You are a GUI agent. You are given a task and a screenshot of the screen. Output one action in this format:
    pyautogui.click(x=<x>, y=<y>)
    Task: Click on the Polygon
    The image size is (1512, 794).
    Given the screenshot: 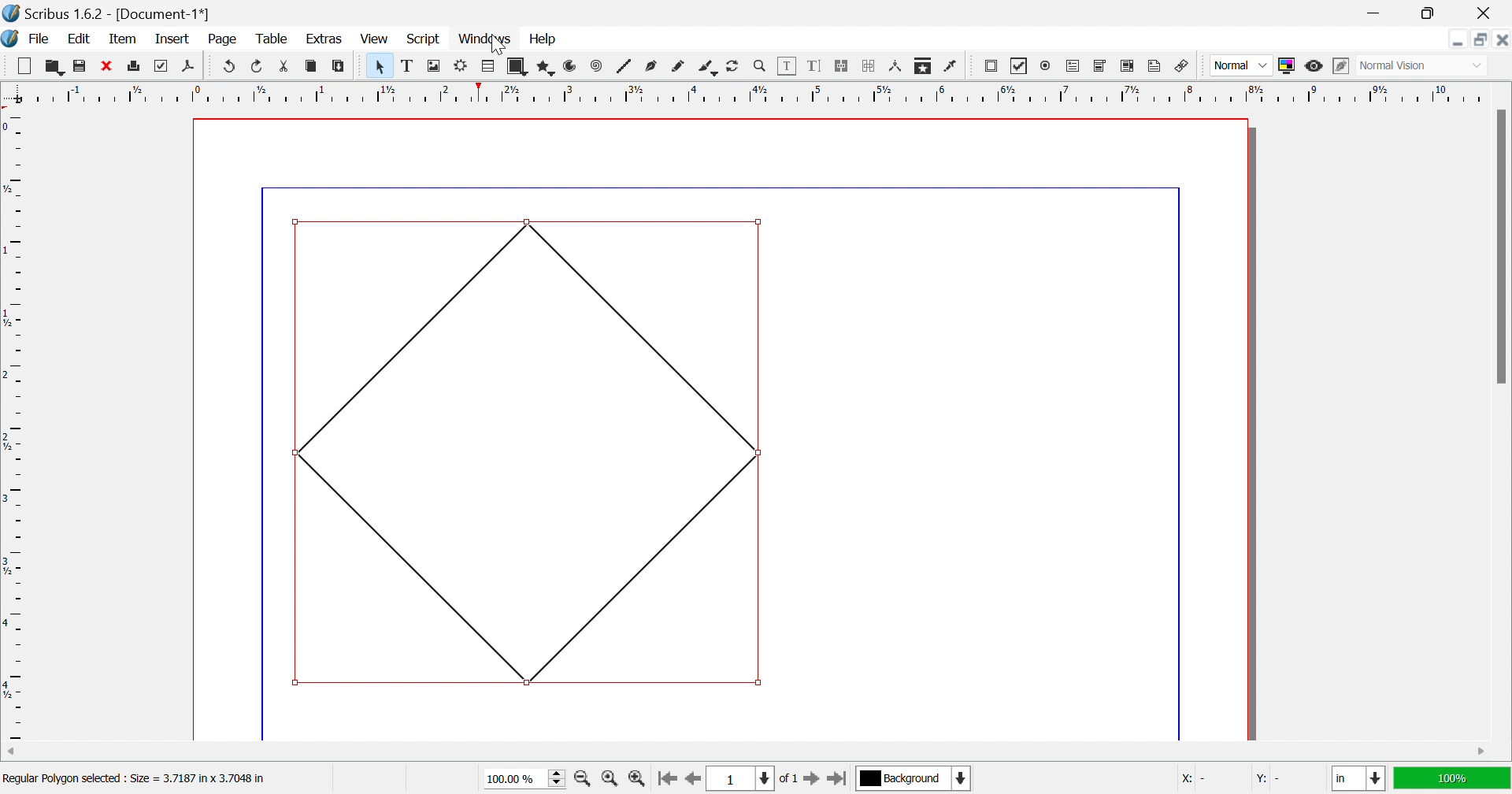 What is the action you would take?
    pyautogui.click(x=547, y=68)
    